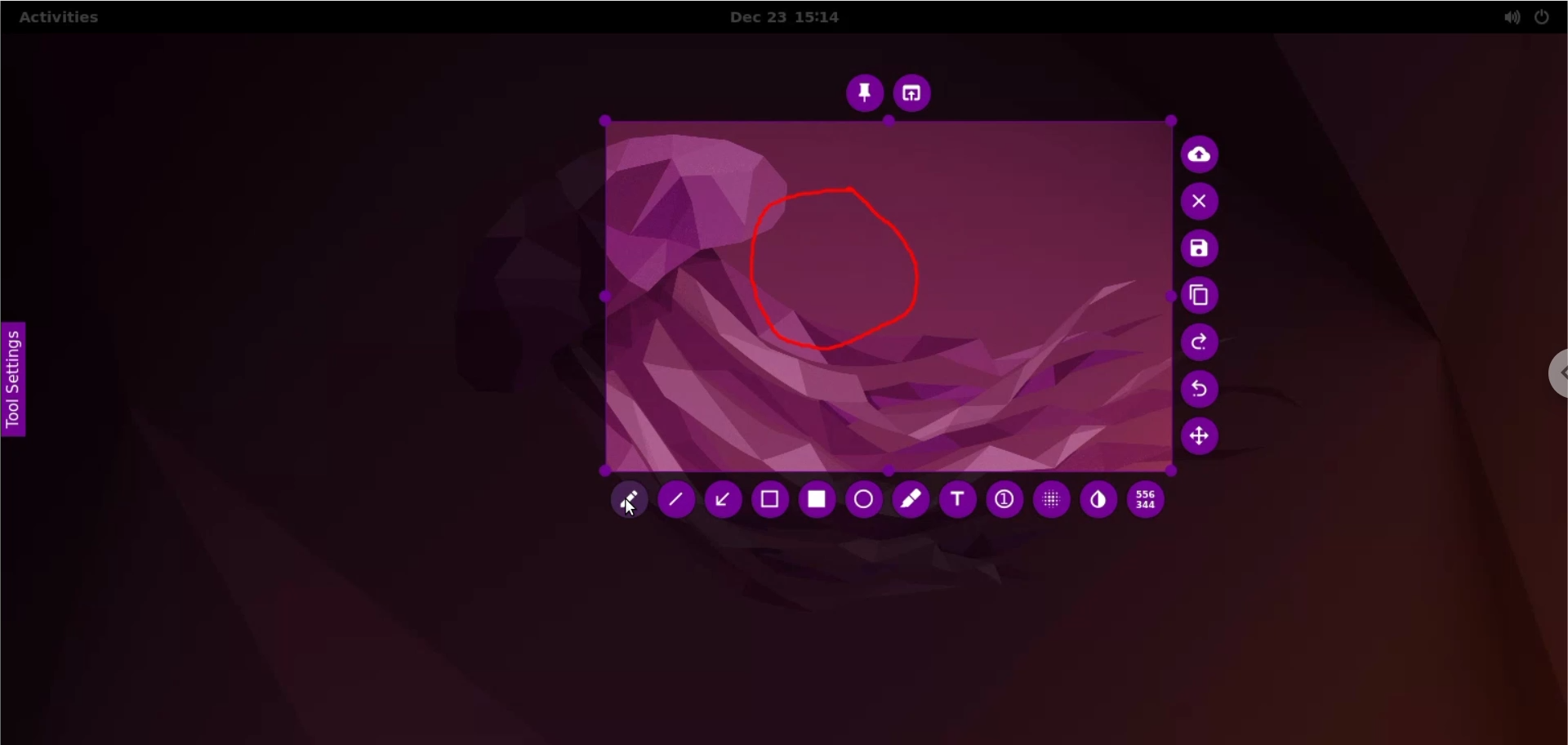 This screenshot has width=1568, height=745. I want to click on choose app to open screenshot, so click(920, 93).